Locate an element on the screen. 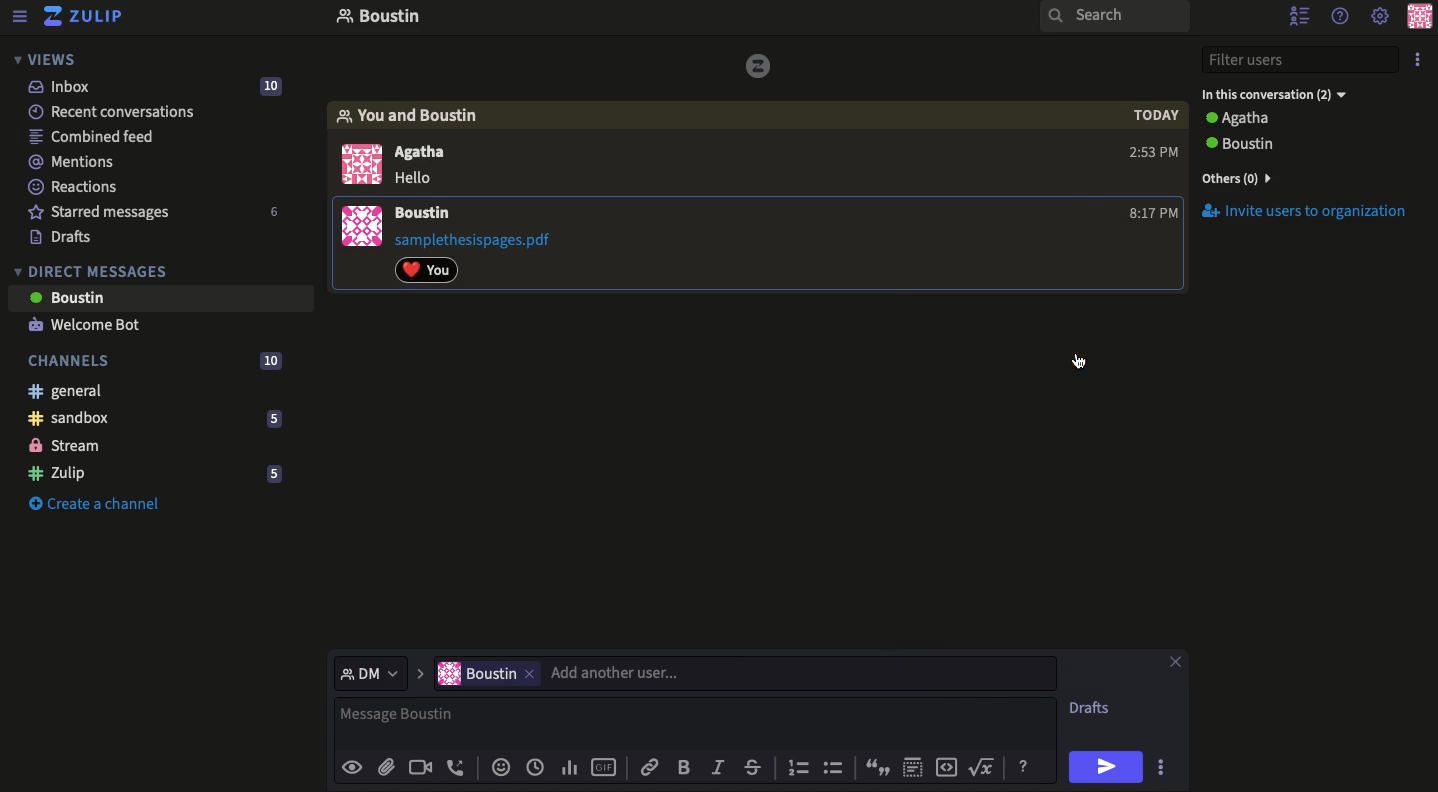  User is located at coordinates (169, 298).